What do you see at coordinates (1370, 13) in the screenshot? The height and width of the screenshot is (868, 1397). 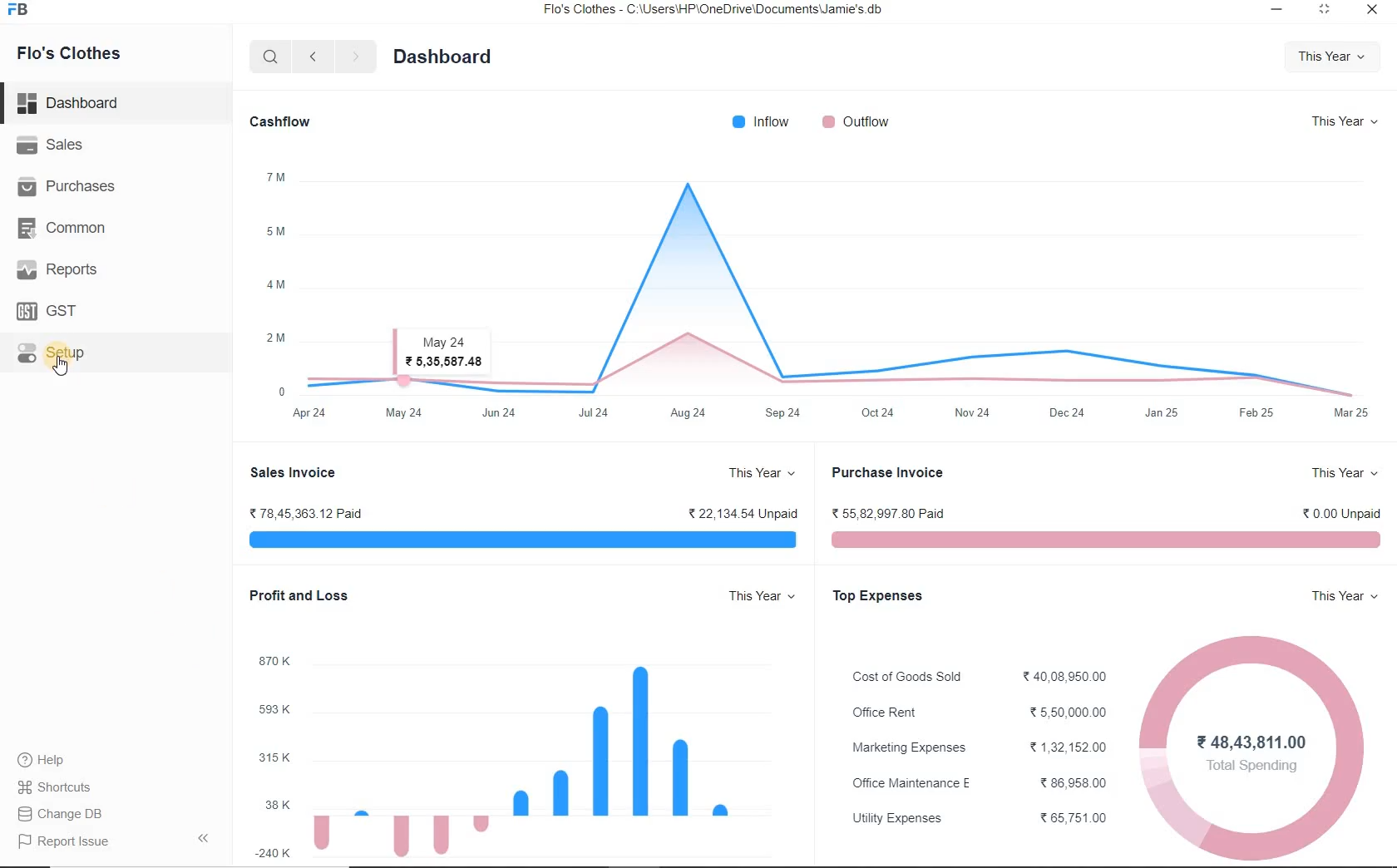 I see `close` at bounding box center [1370, 13].